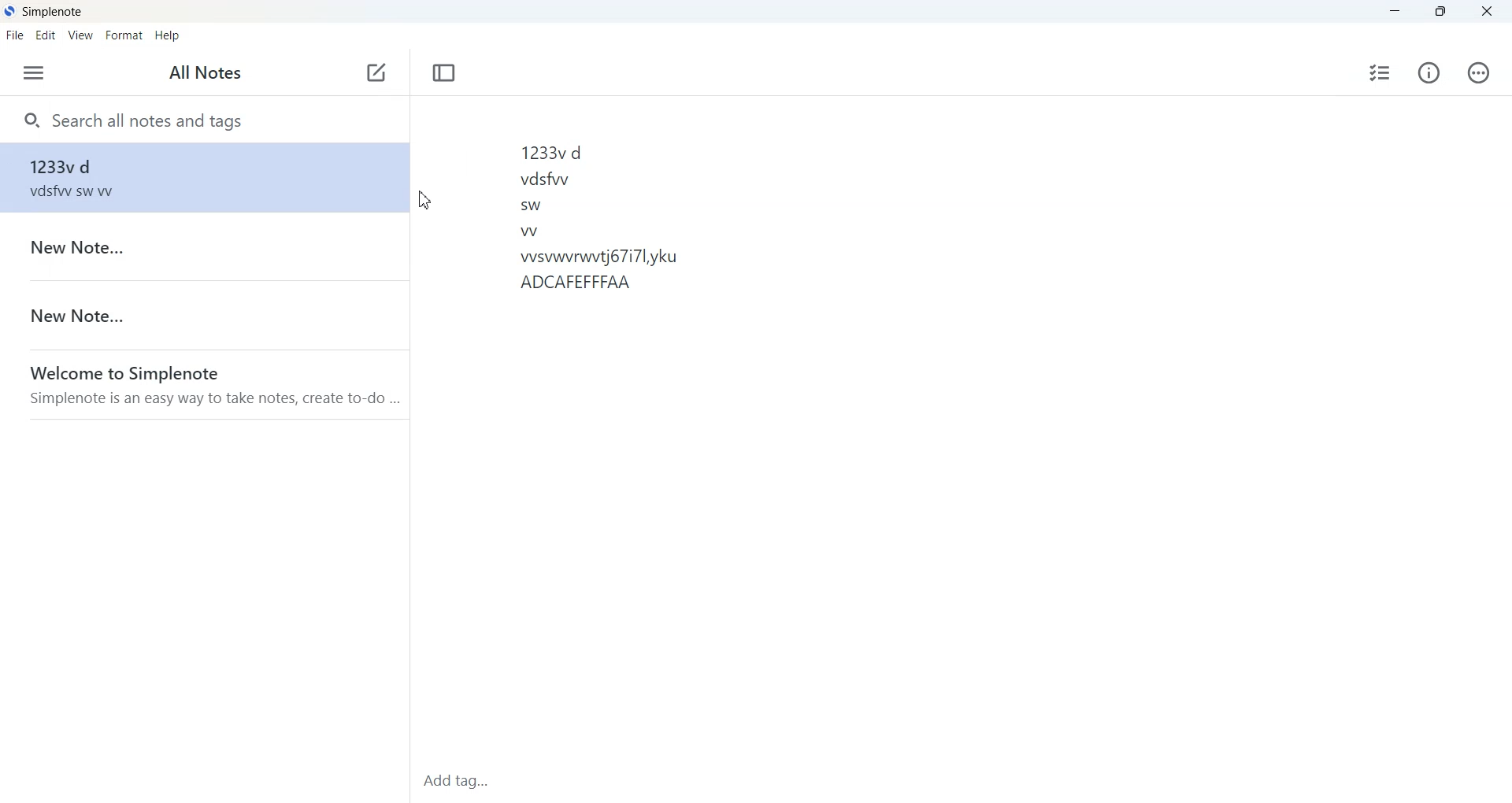  I want to click on Close, so click(1485, 12).